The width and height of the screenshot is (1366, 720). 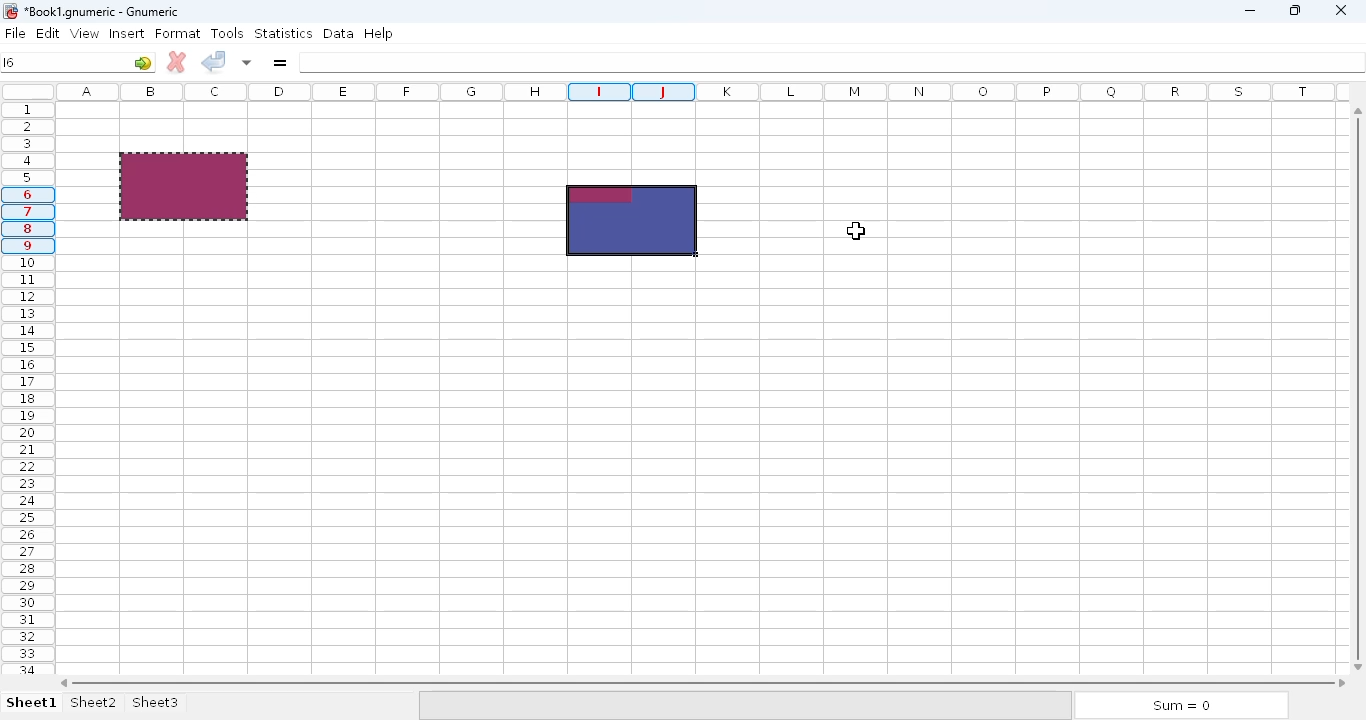 What do you see at coordinates (632, 221) in the screenshot?
I see `selected range pasted` at bounding box center [632, 221].